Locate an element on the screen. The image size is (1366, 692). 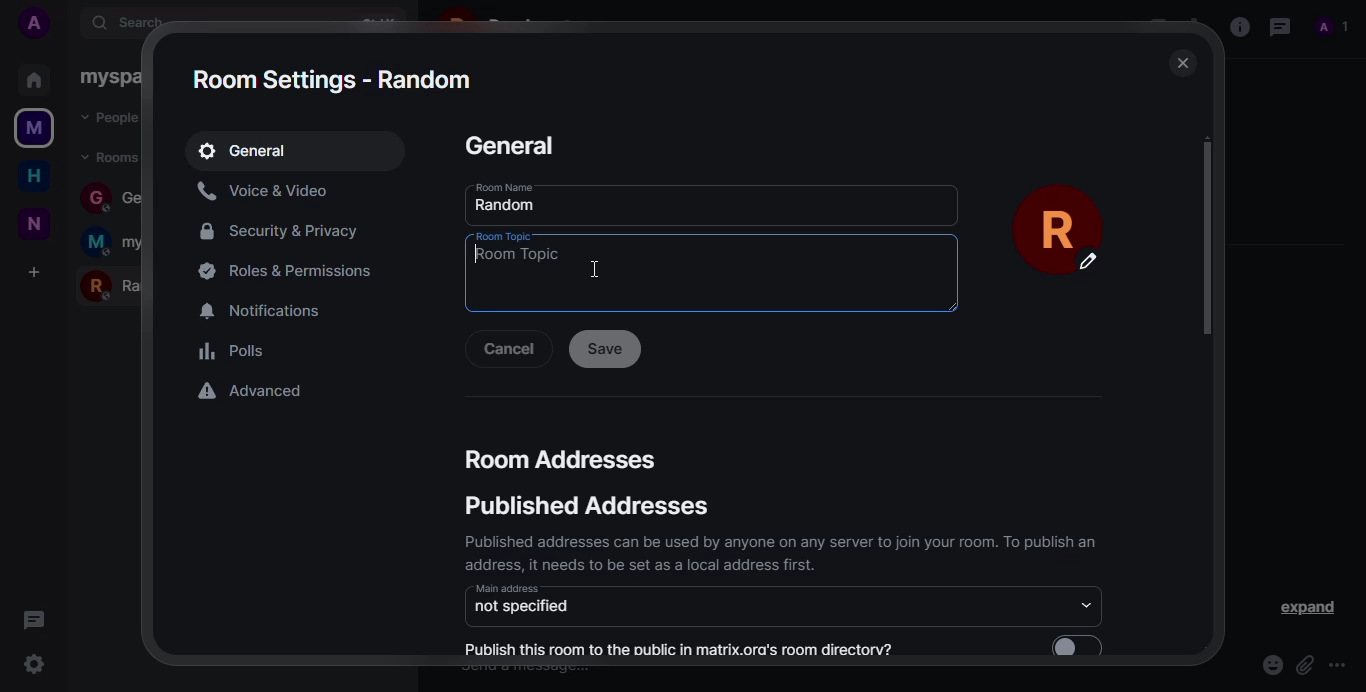
permissions is located at coordinates (294, 270).